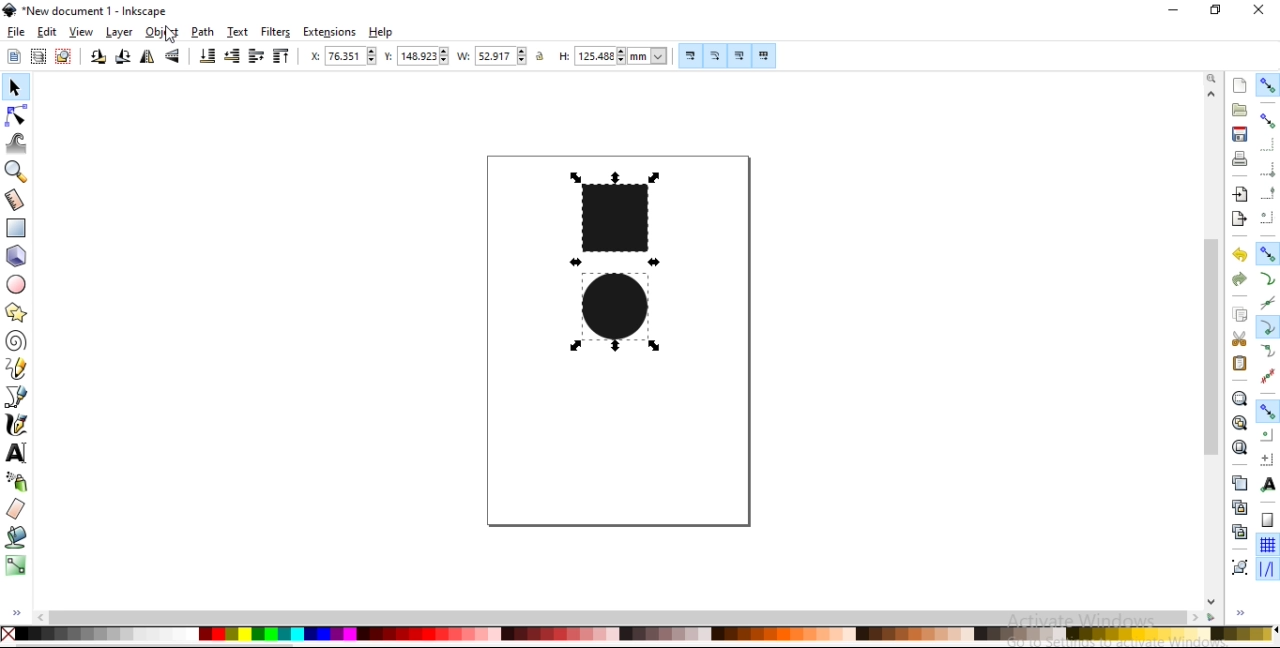  Describe the element at coordinates (162, 32) in the screenshot. I see `object` at that location.